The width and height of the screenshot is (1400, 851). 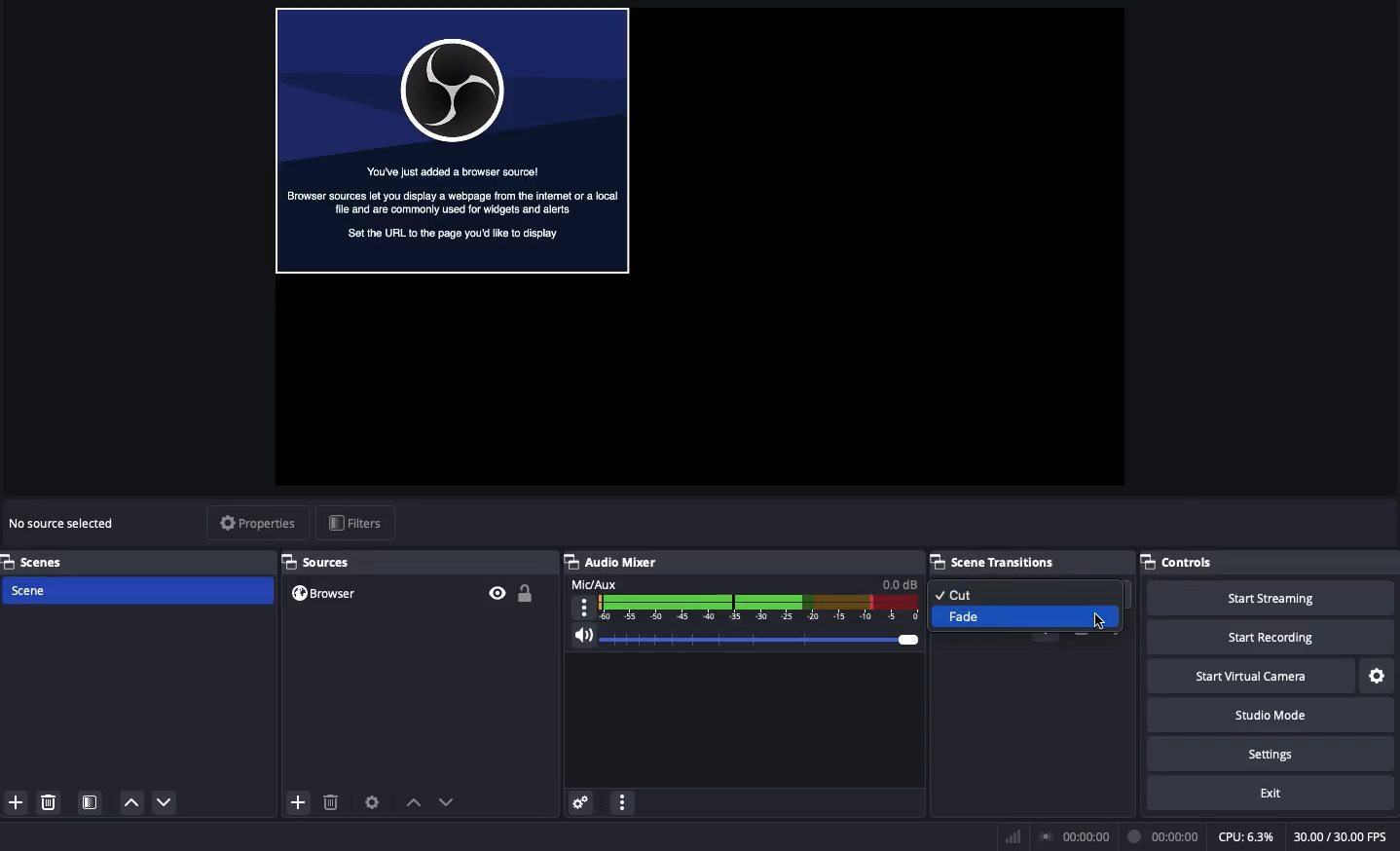 What do you see at coordinates (497, 593) in the screenshot?
I see `Visible ` at bounding box center [497, 593].